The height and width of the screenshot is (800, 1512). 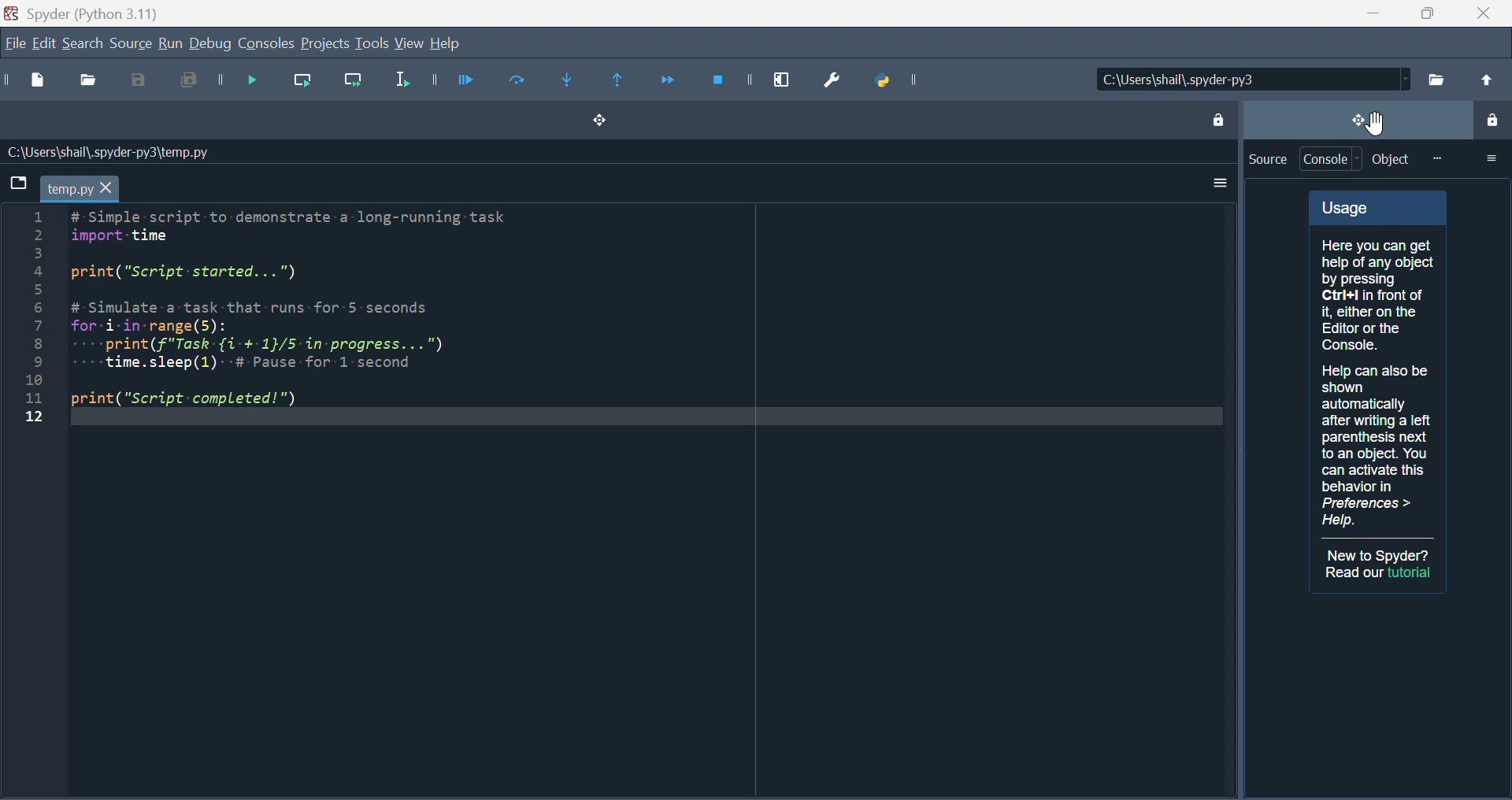 I want to click on drag and drop, so click(x=1357, y=119).